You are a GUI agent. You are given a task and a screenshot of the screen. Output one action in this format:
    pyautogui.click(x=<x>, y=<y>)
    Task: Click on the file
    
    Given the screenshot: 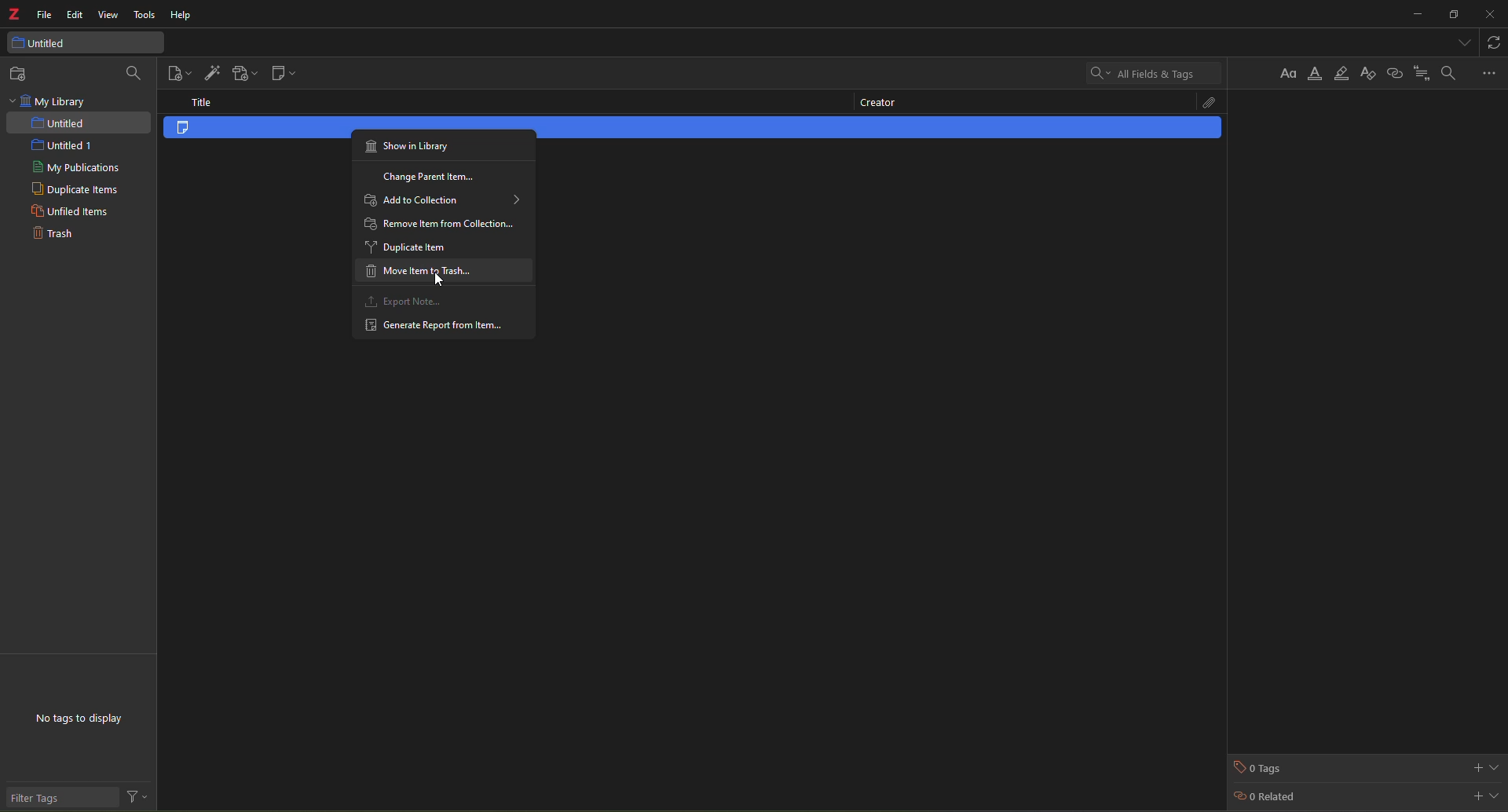 What is the action you would take?
    pyautogui.click(x=46, y=15)
    